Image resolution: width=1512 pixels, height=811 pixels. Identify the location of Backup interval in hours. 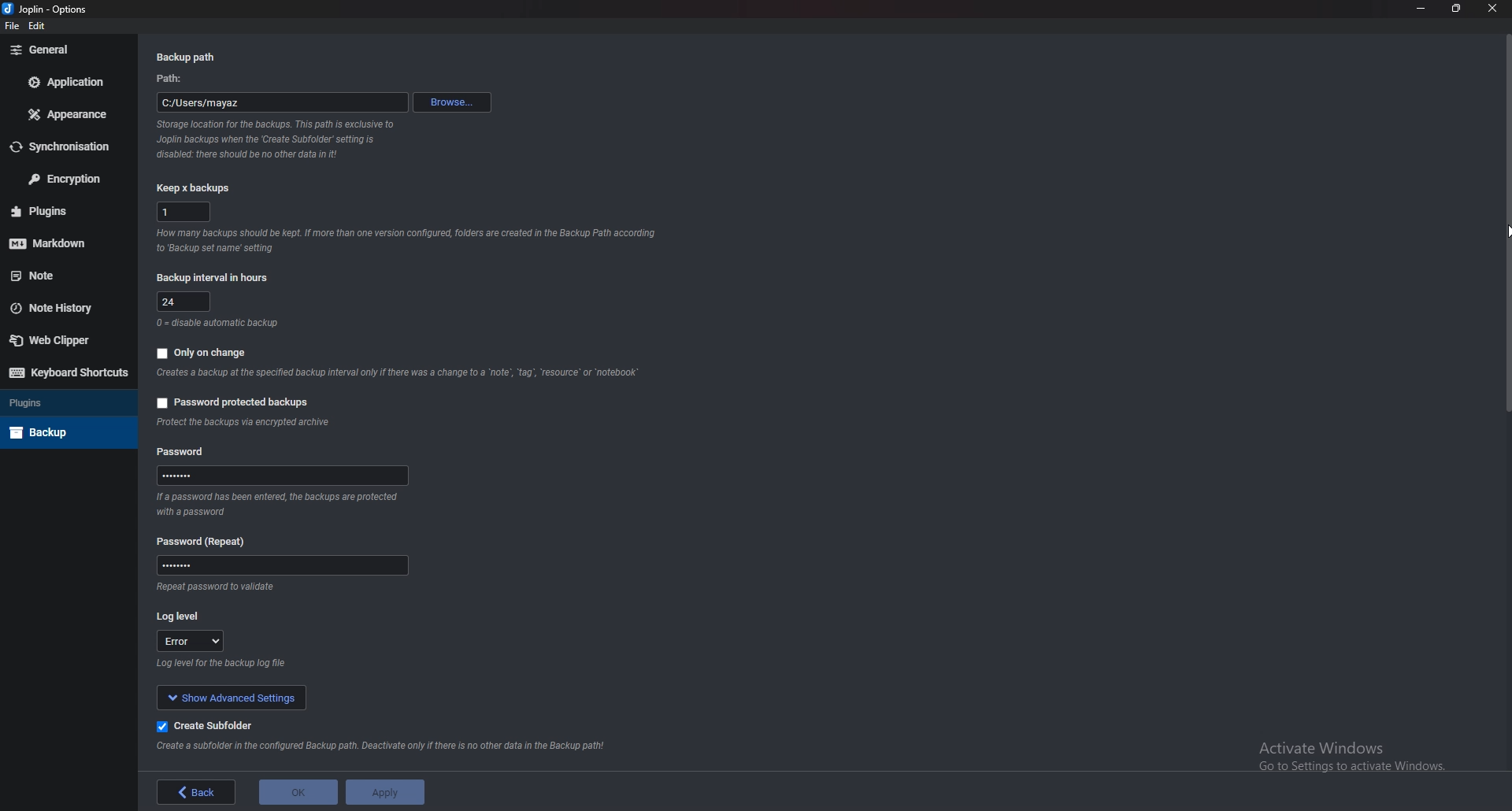
(215, 278).